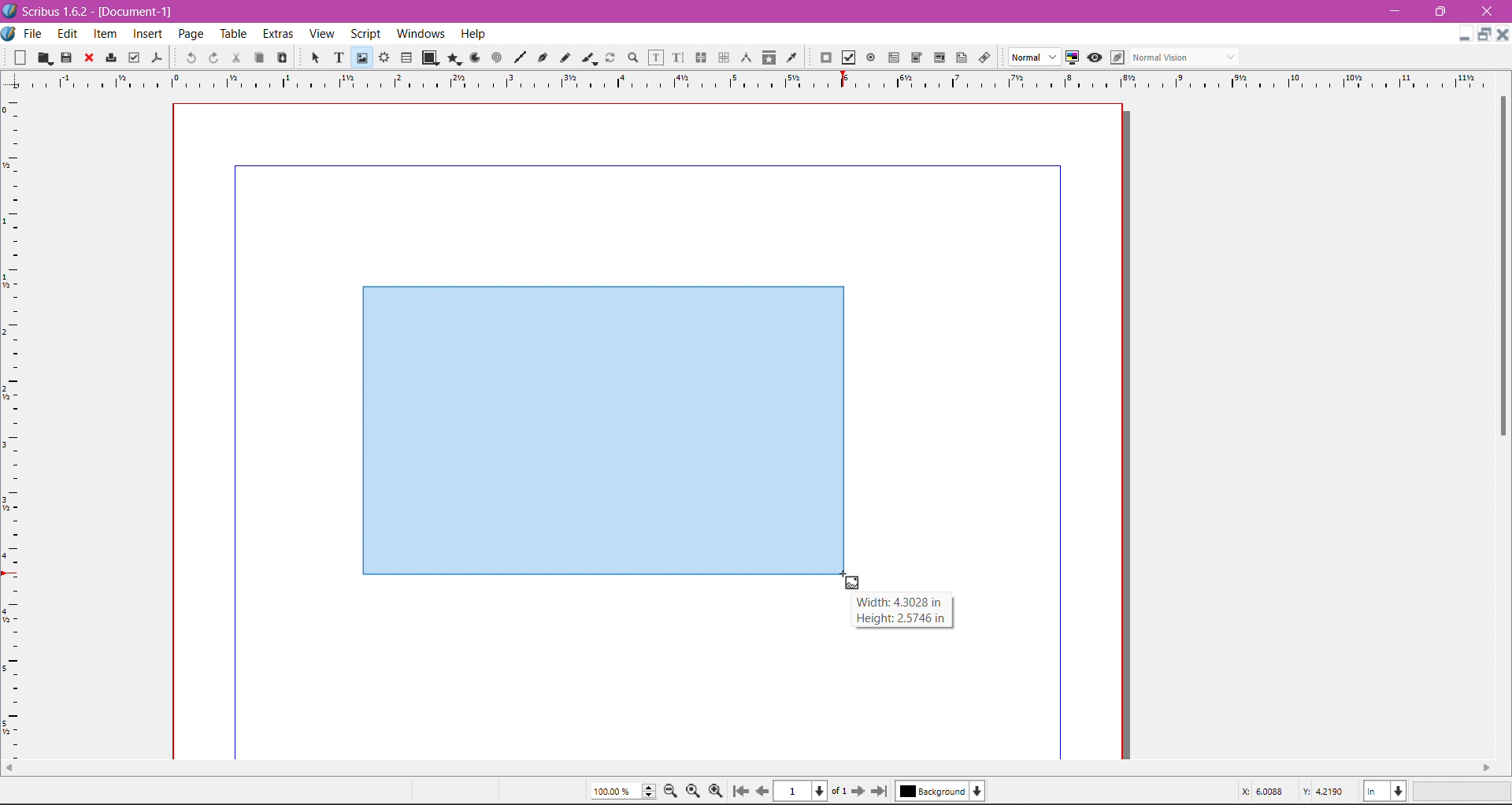 This screenshot has height=805, width=1512. What do you see at coordinates (236, 58) in the screenshot?
I see `Cut` at bounding box center [236, 58].